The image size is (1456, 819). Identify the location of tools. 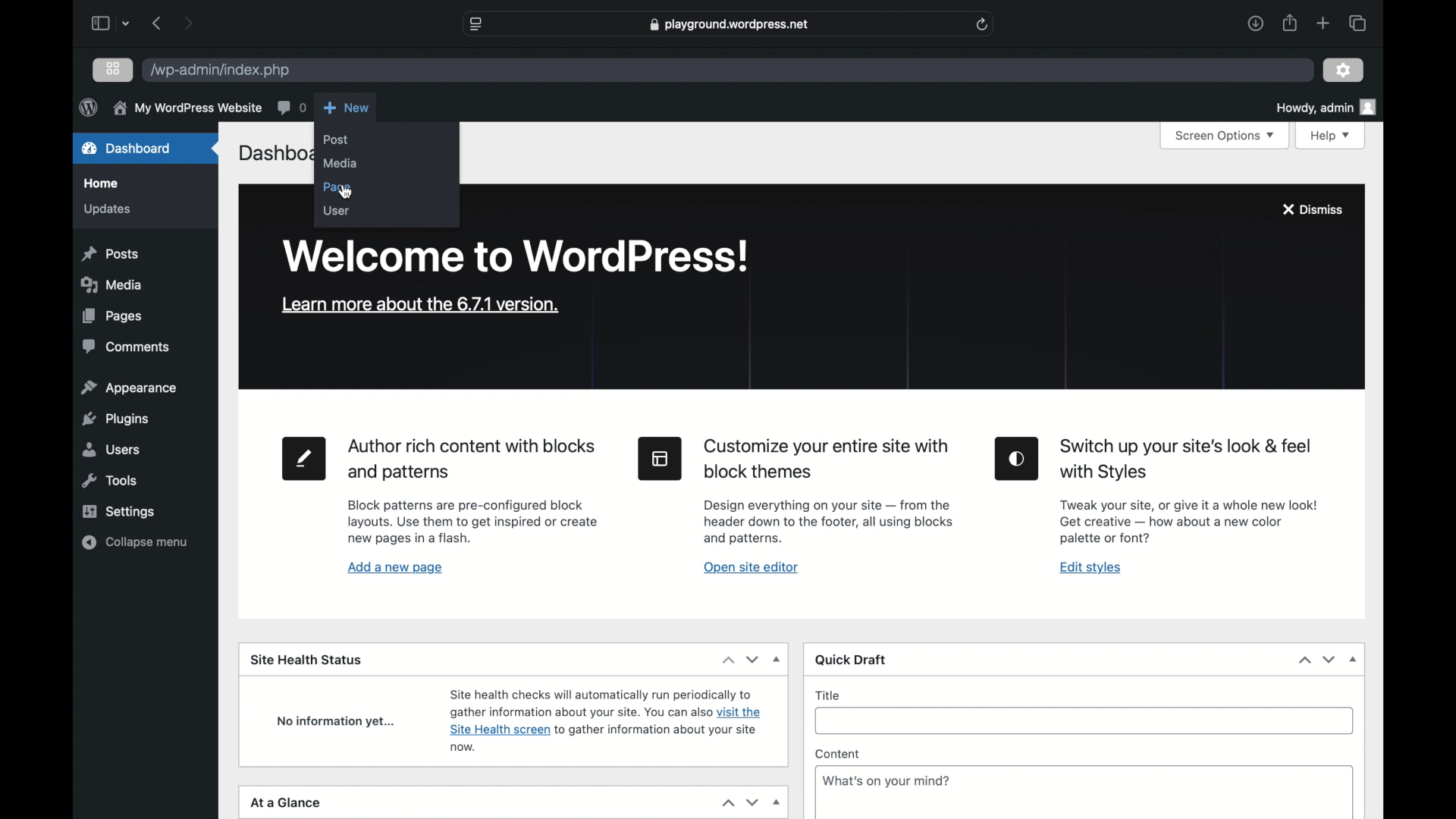
(110, 480).